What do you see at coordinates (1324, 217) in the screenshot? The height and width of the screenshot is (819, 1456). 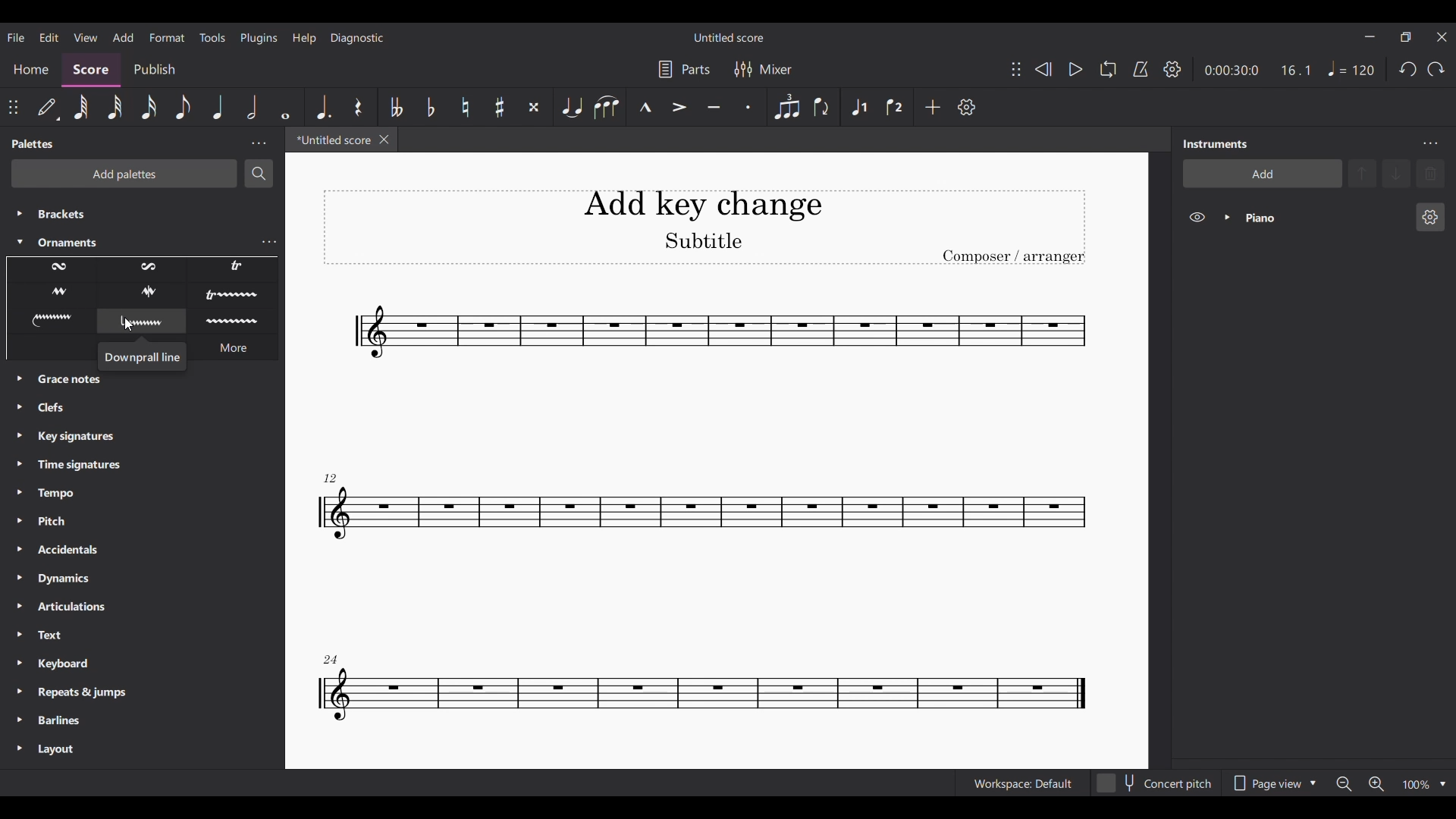 I see `Current instrument` at bounding box center [1324, 217].